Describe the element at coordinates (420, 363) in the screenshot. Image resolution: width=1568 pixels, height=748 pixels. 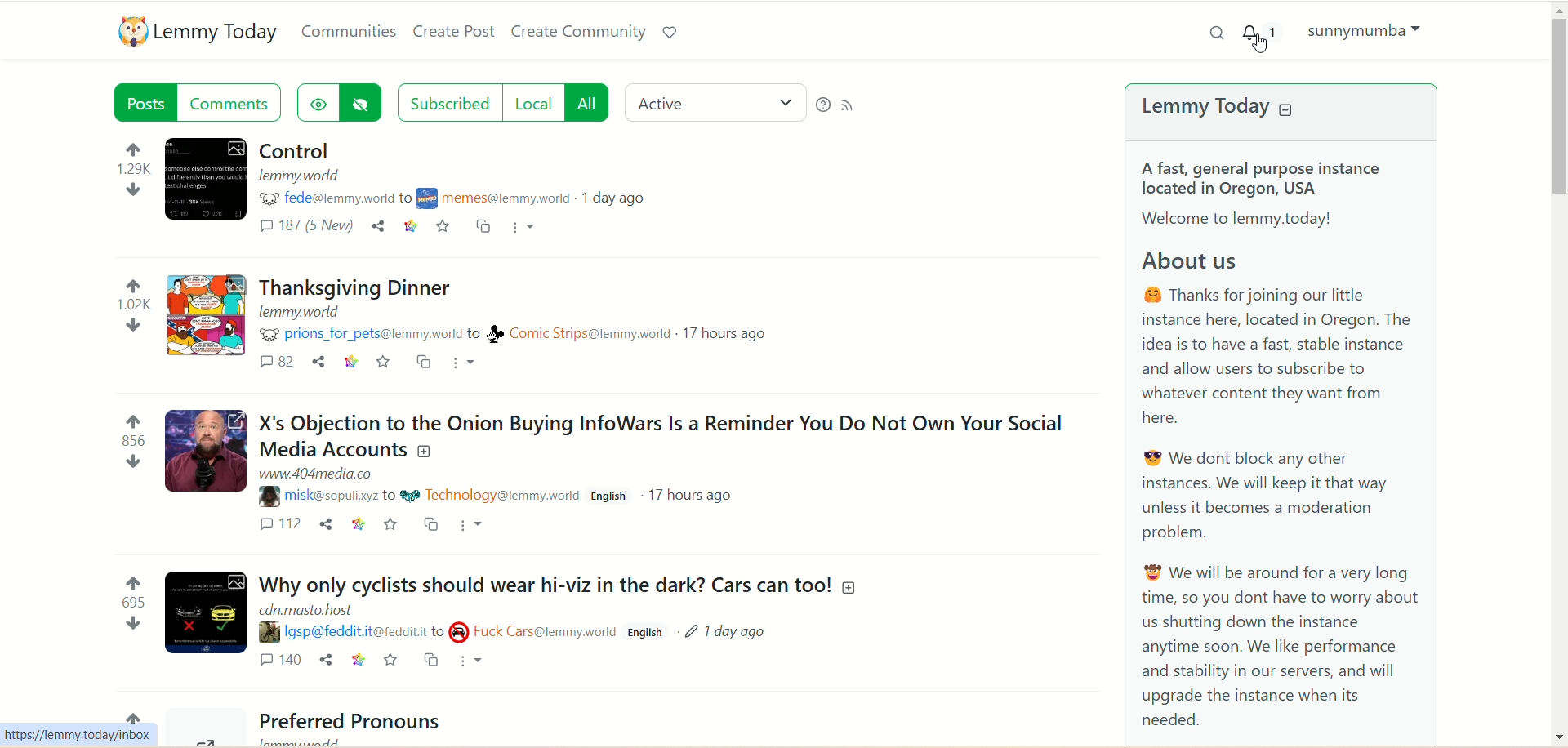
I see `cross-post` at that location.